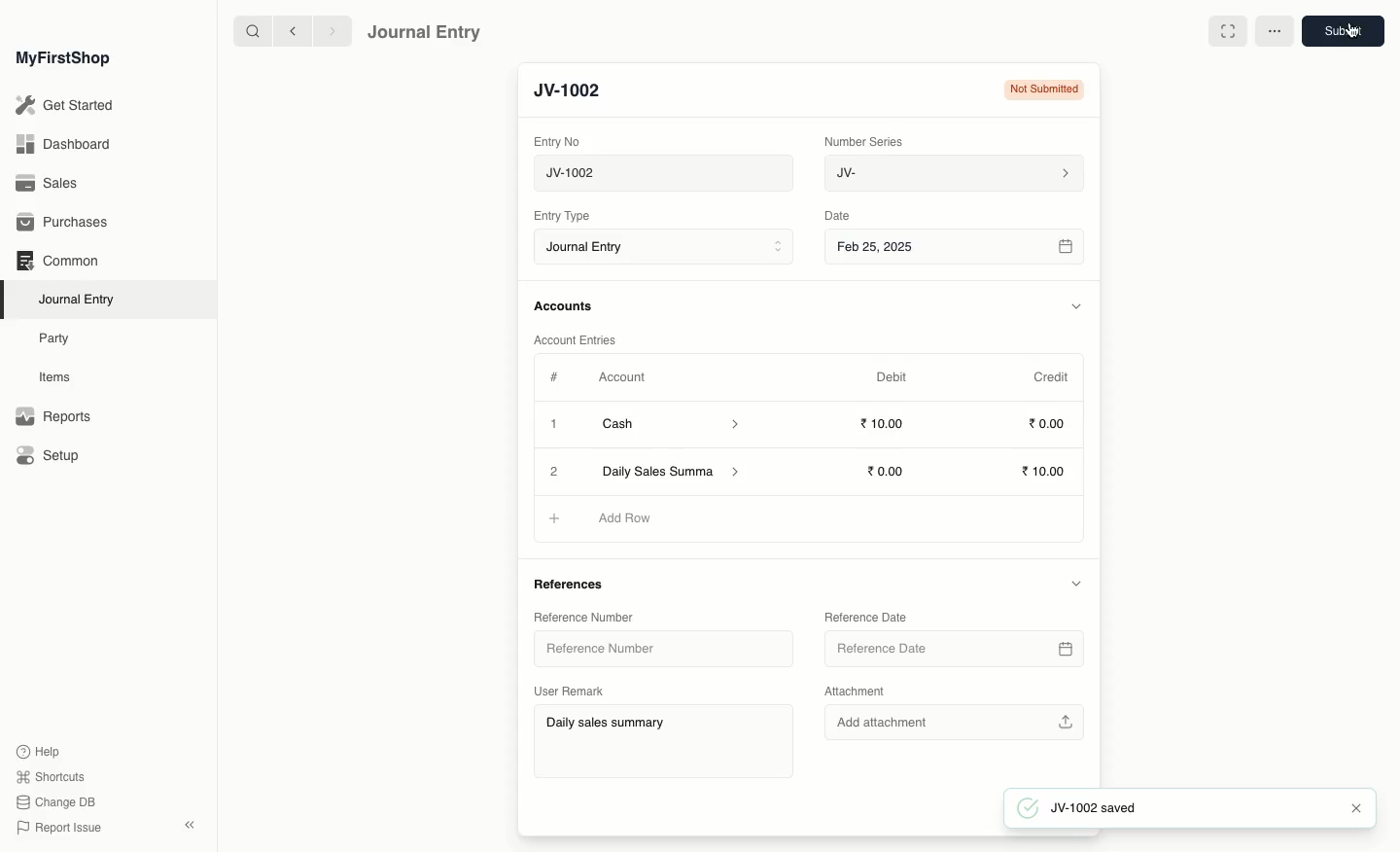  I want to click on Daily sales summary, so click(666, 743).